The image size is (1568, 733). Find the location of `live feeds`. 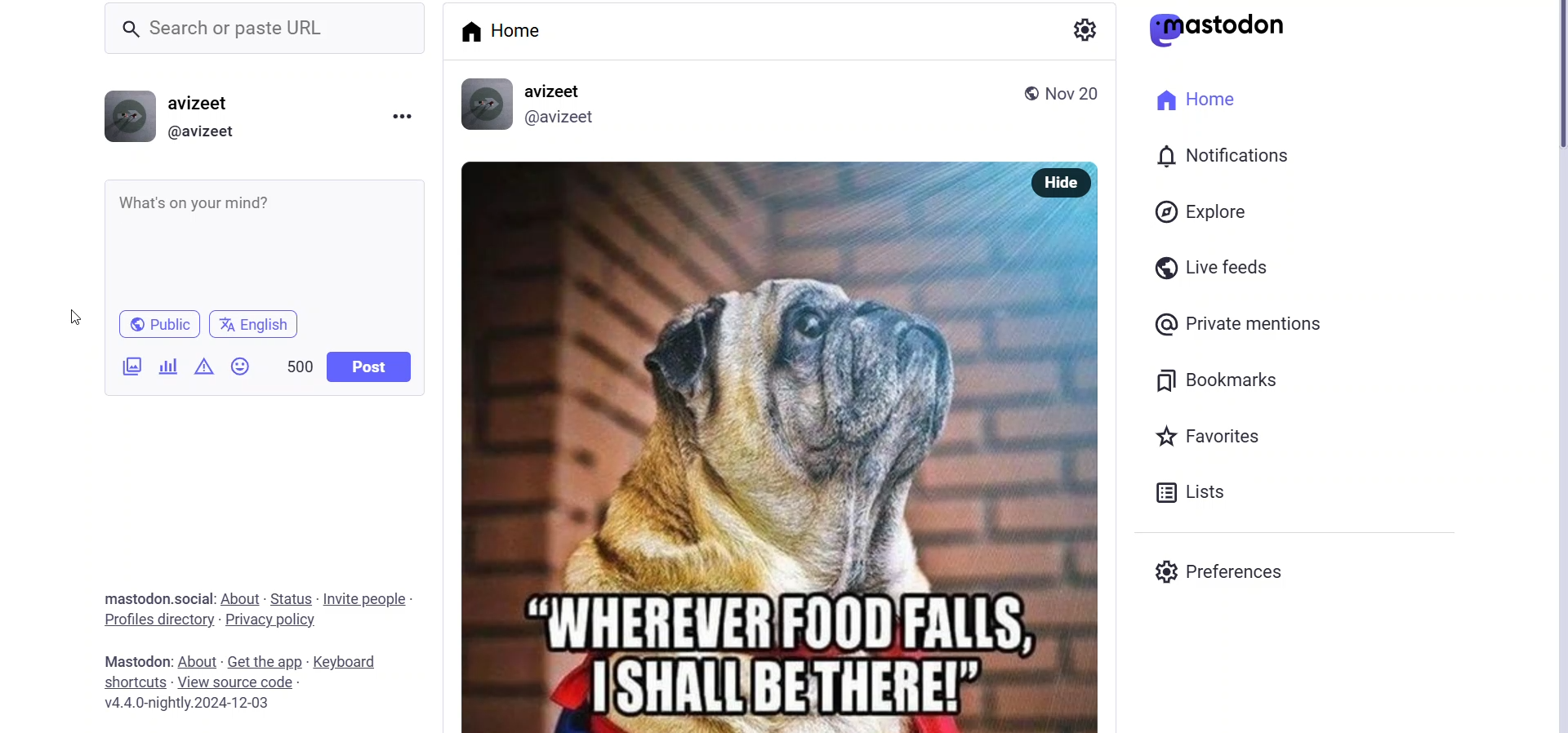

live feeds is located at coordinates (1210, 269).